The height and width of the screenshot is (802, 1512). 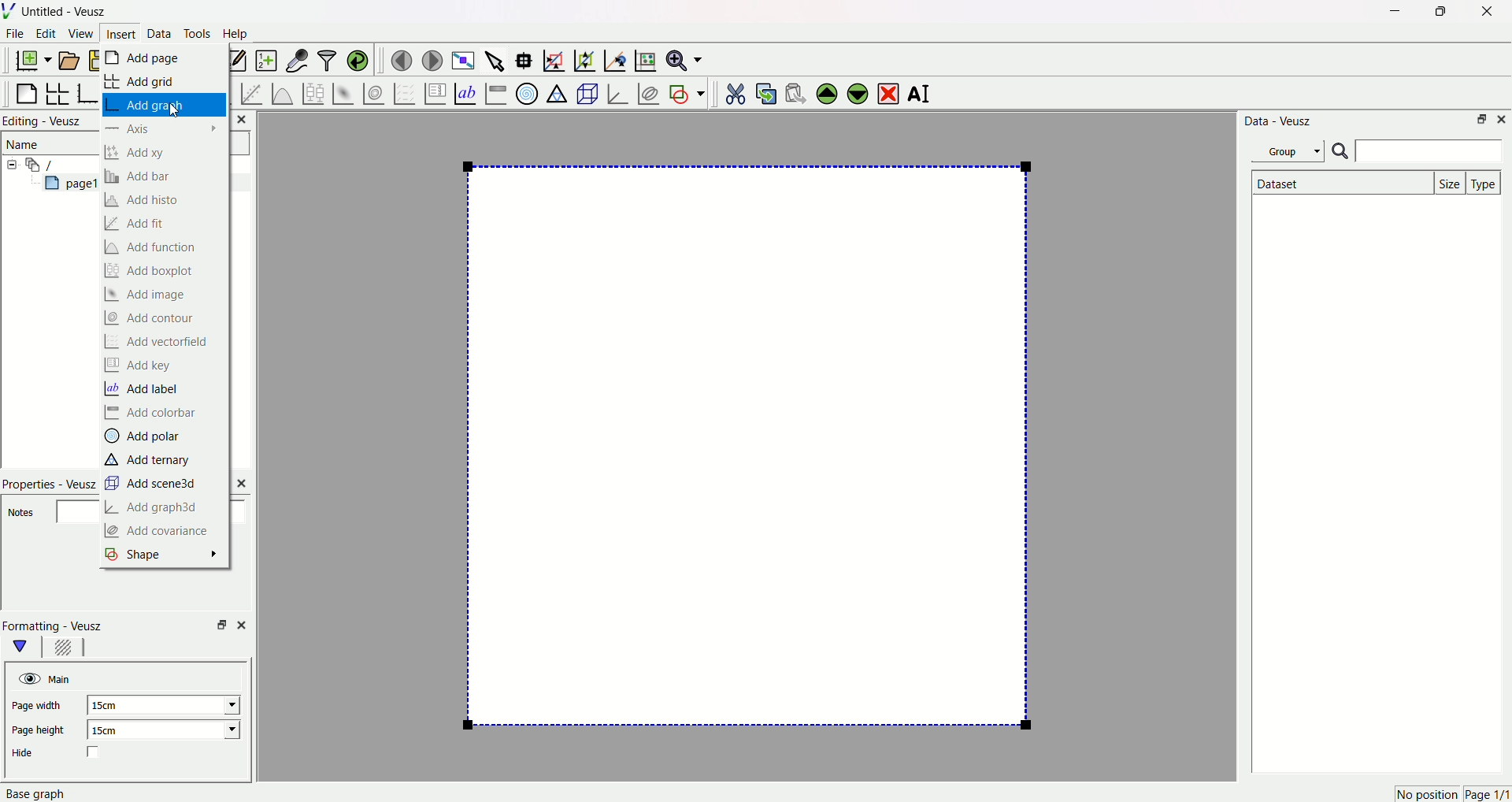 What do you see at coordinates (152, 295) in the screenshot?
I see `Add image` at bounding box center [152, 295].